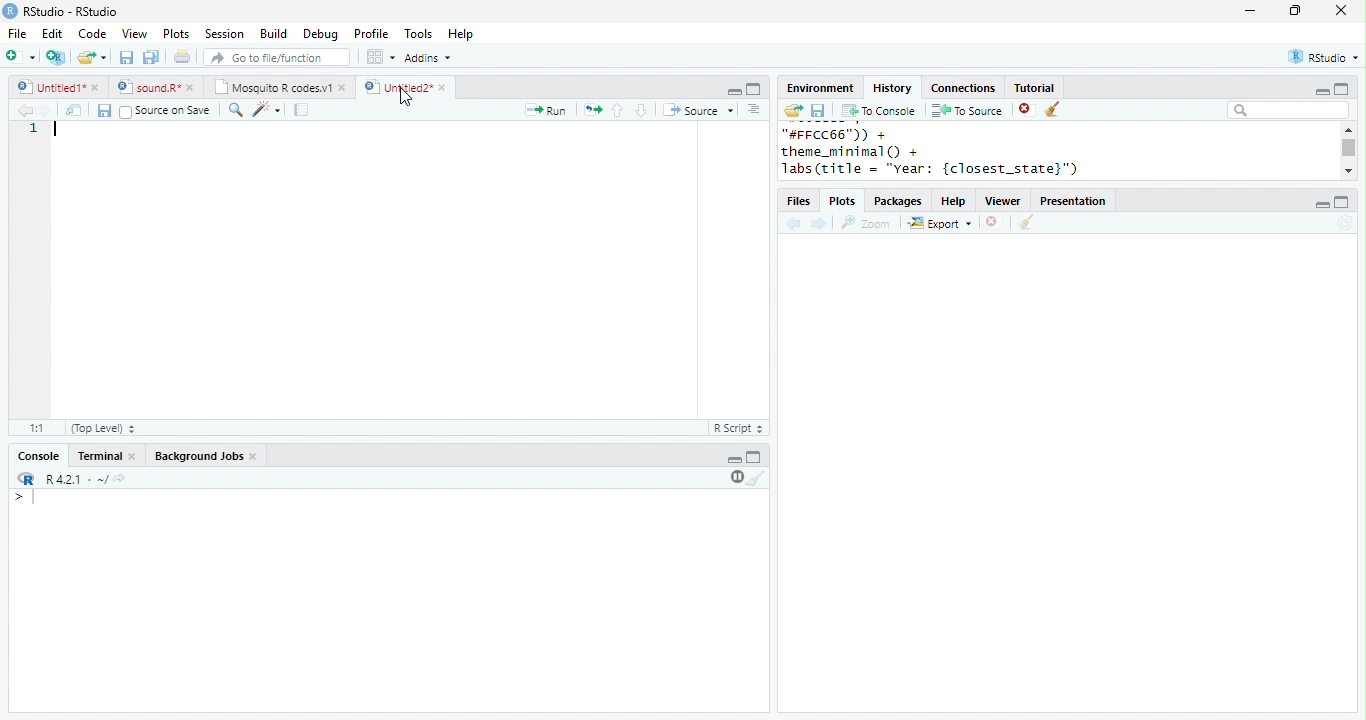  I want to click on RStudio, so click(1324, 56).